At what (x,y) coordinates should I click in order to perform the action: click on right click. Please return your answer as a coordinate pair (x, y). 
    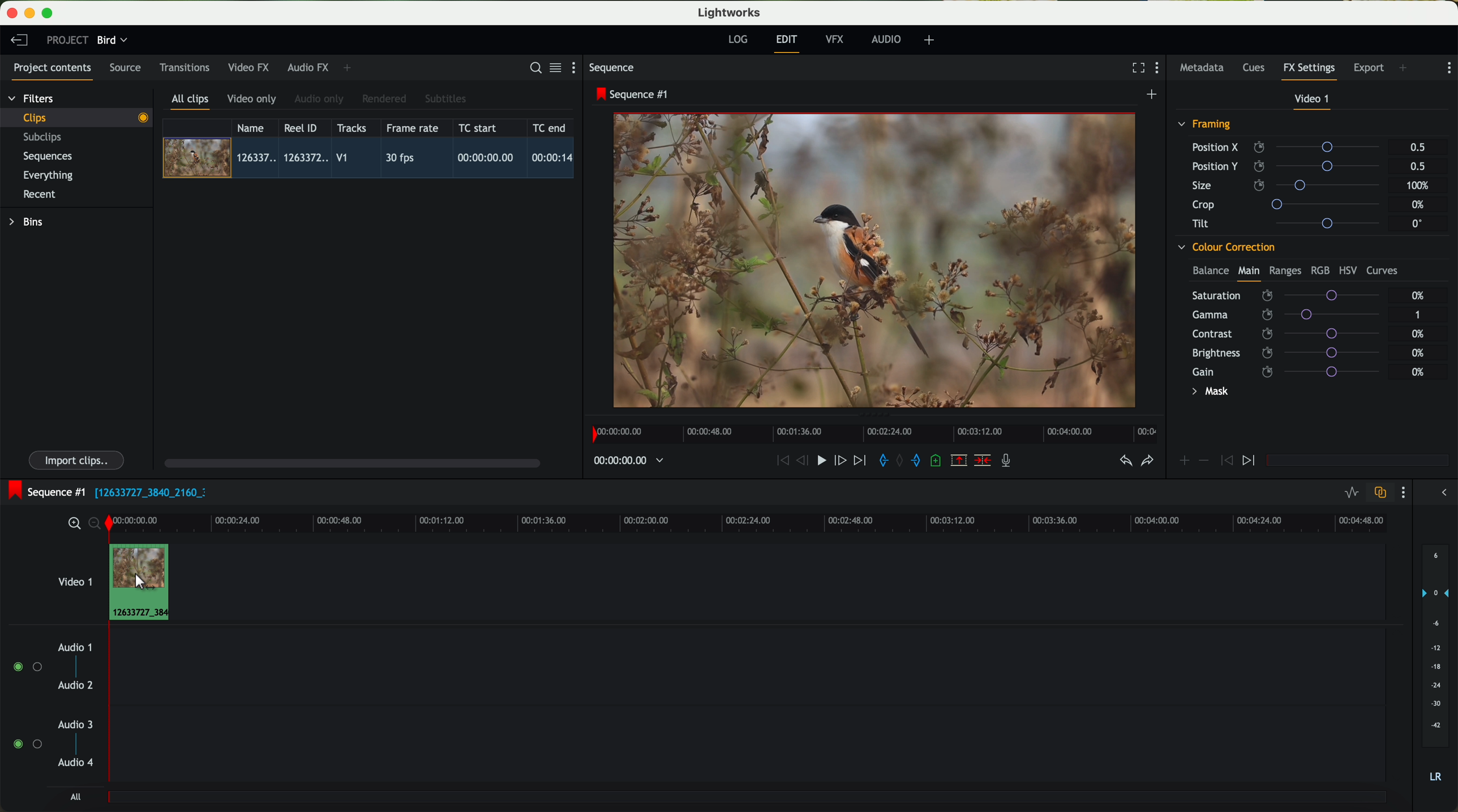
    Looking at the image, I should click on (138, 582).